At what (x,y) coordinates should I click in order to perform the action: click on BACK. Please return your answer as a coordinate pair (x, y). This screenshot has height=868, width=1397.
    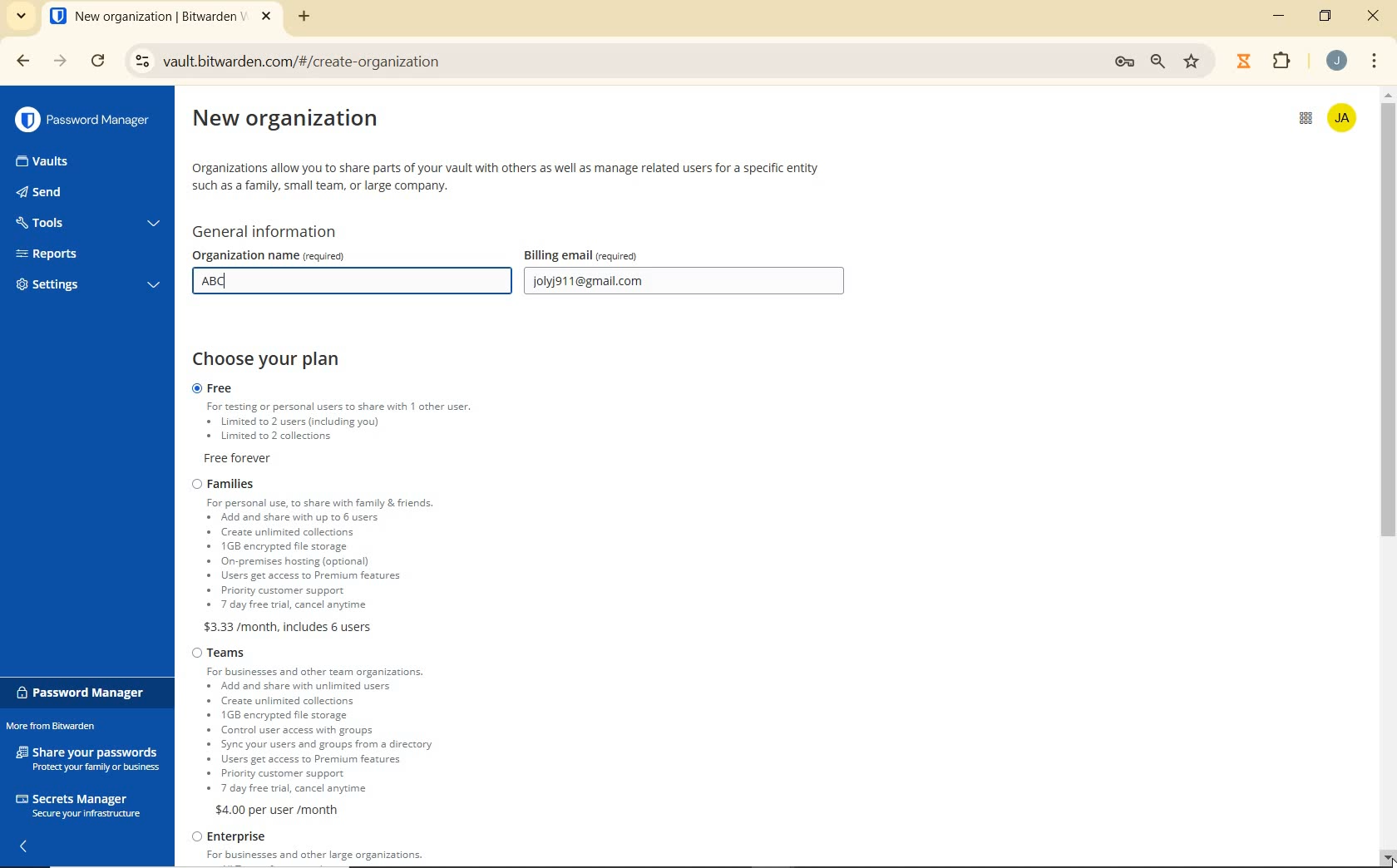
    Looking at the image, I should click on (15, 61).